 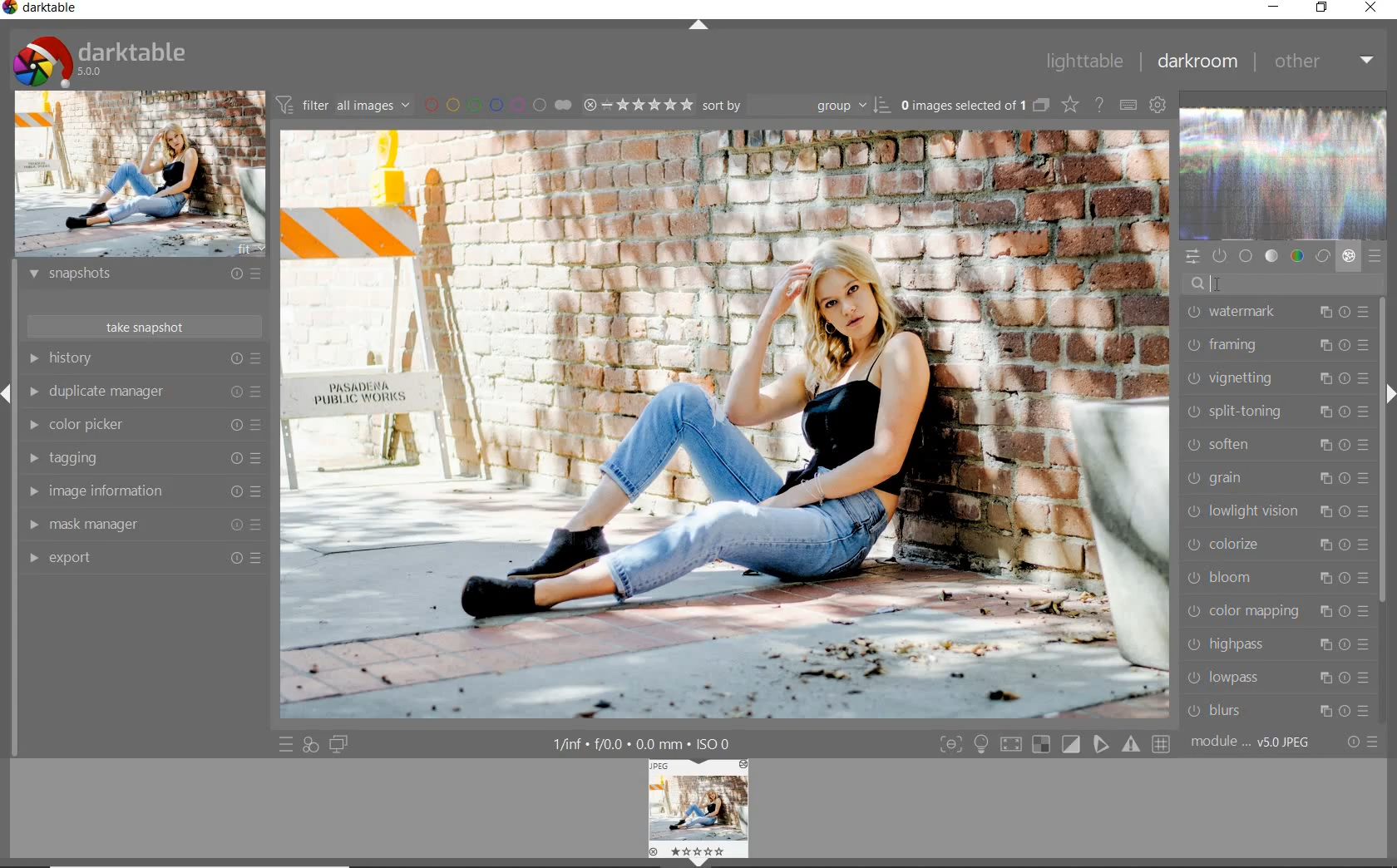 I want to click on take snapshot, so click(x=142, y=325).